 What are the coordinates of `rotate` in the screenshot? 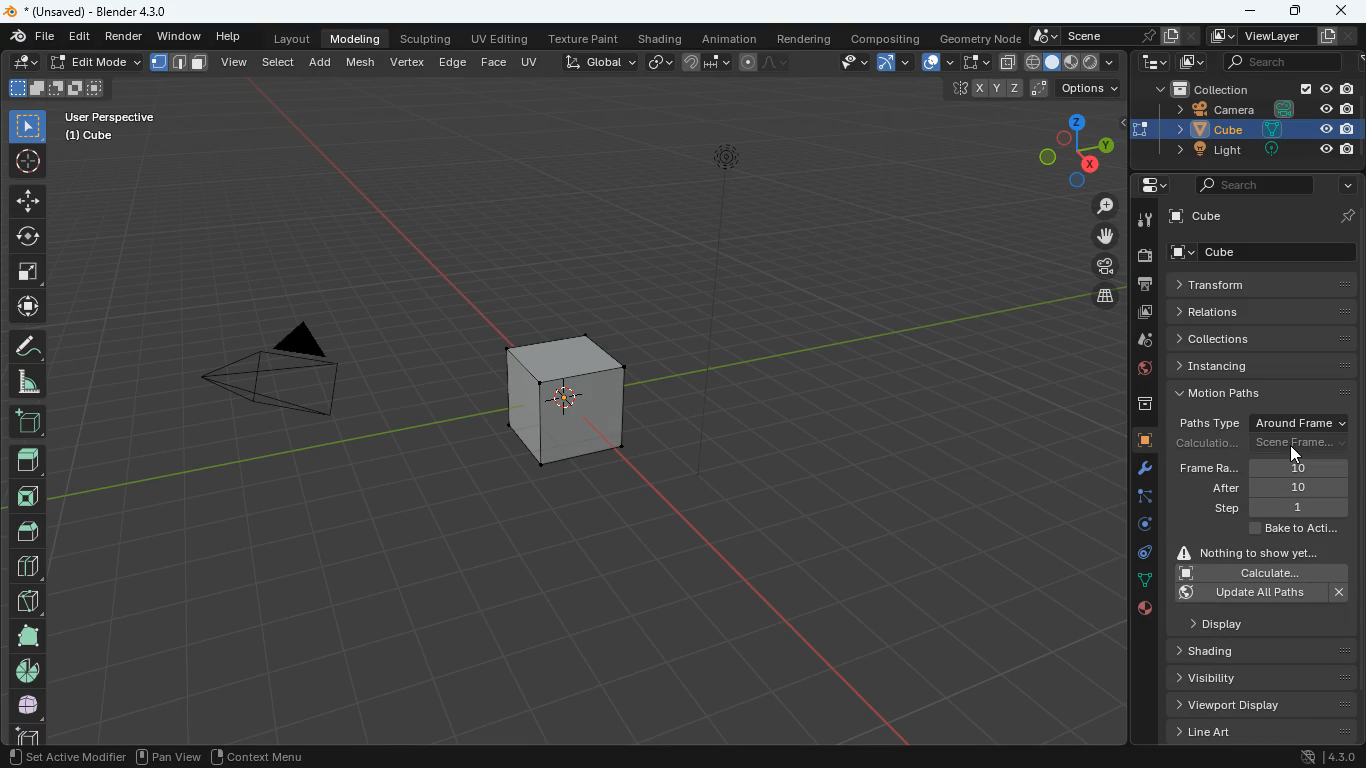 It's located at (1138, 529).